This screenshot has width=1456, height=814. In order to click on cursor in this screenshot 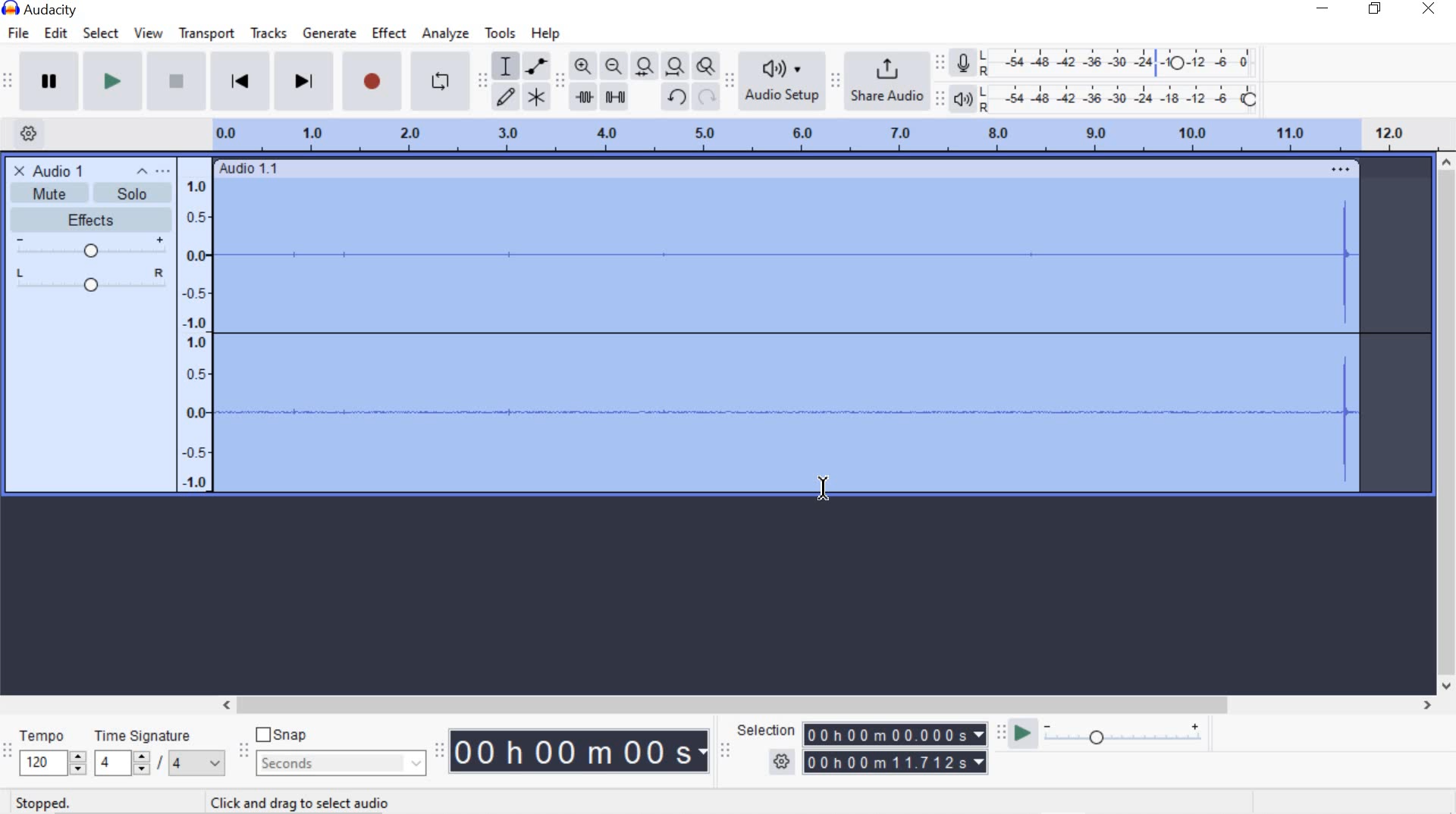, I will do `click(814, 487)`.